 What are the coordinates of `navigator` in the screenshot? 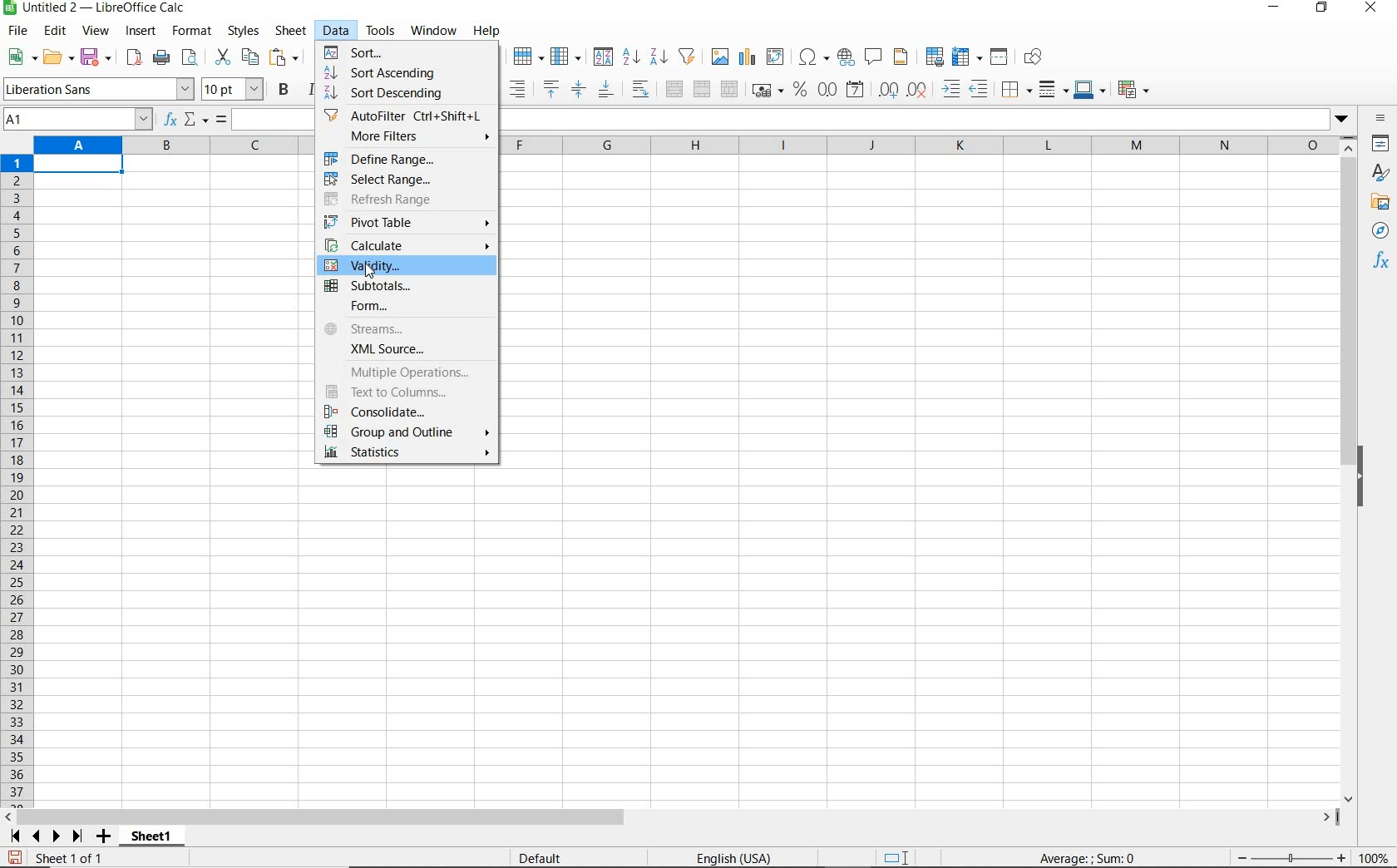 It's located at (1383, 234).